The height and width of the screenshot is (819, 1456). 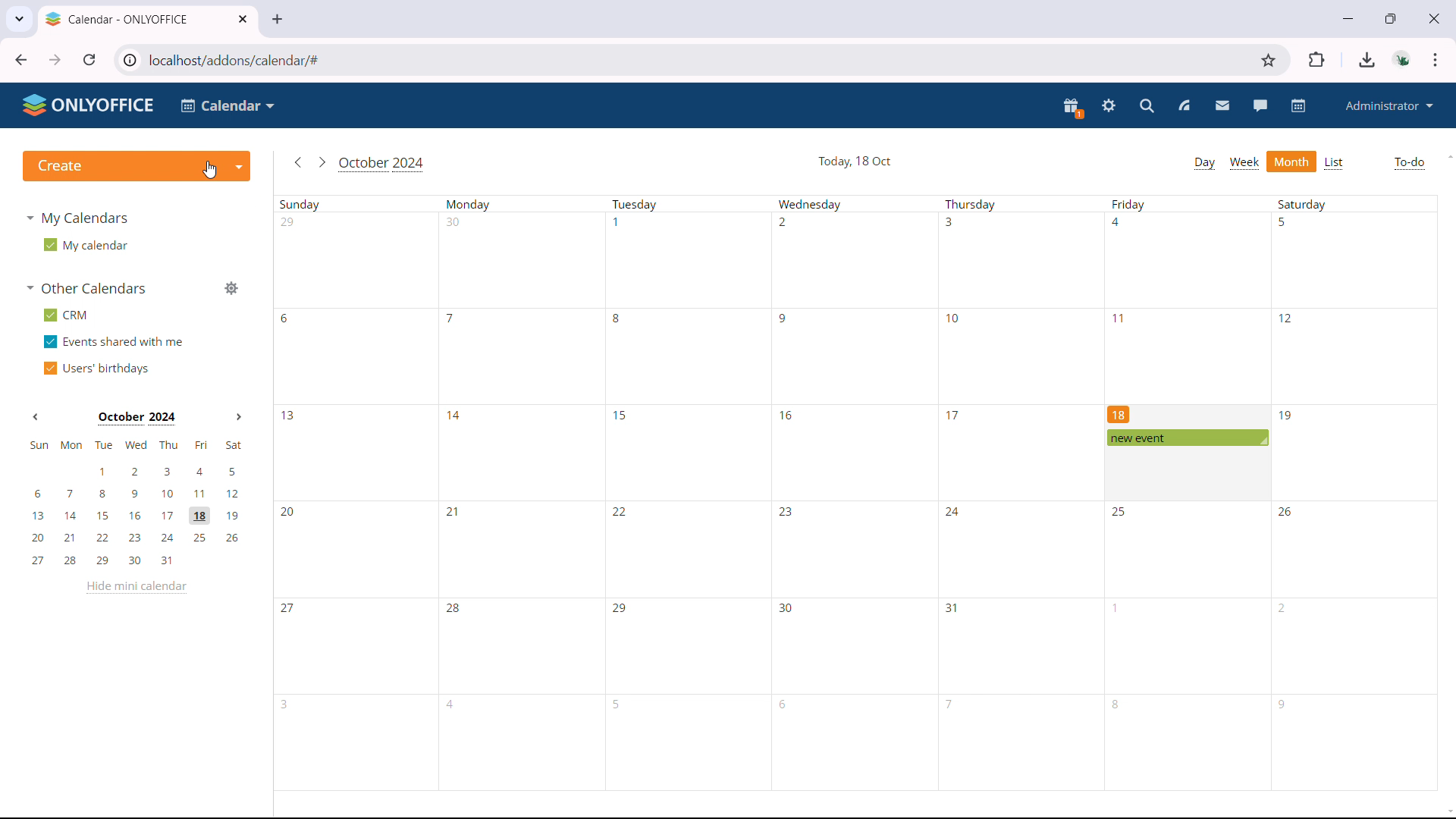 I want to click on Today, 18 Oct, so click(x=855, y=161).